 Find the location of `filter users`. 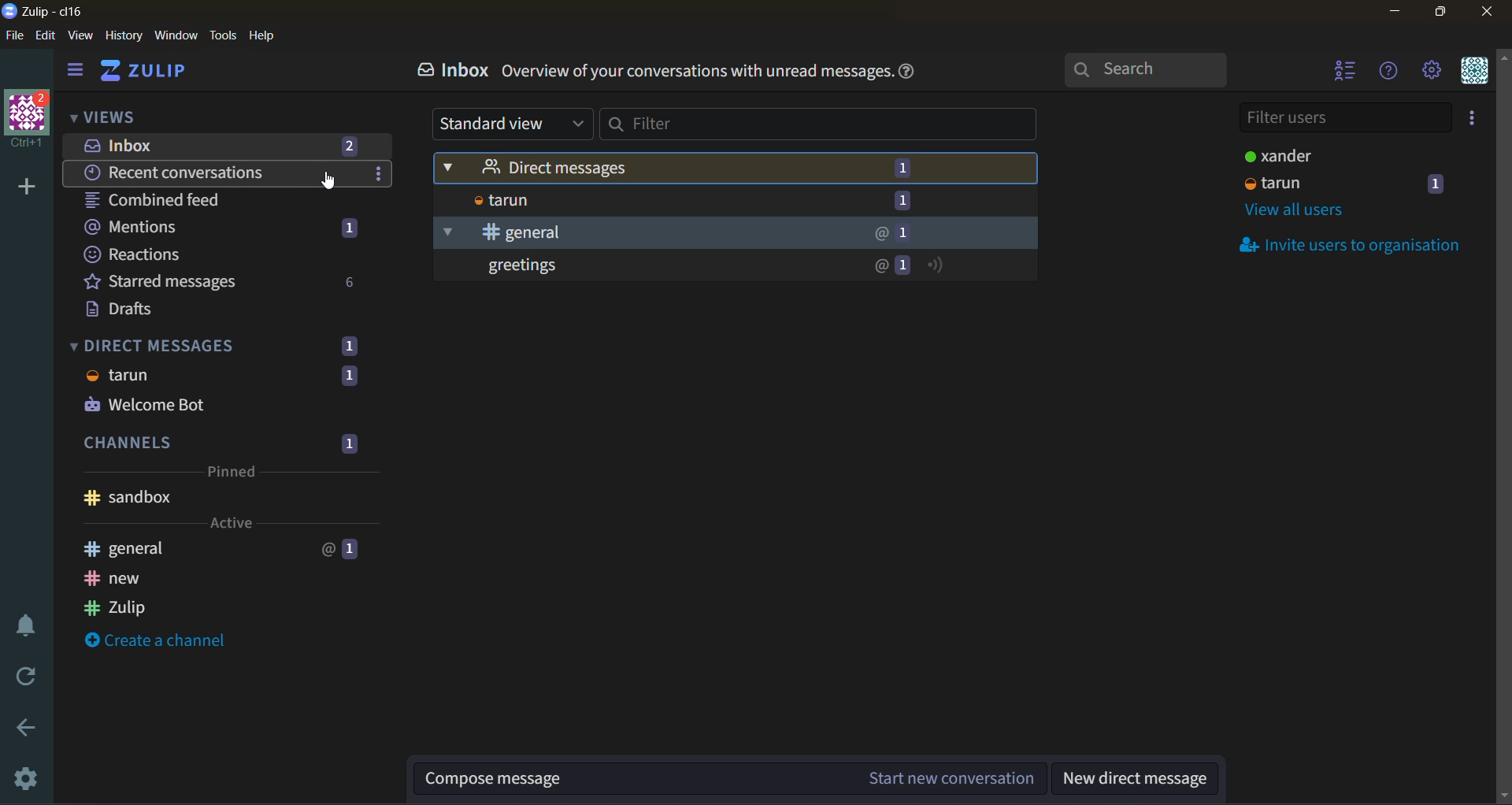

filter users is located at coordinates (1342, 117).